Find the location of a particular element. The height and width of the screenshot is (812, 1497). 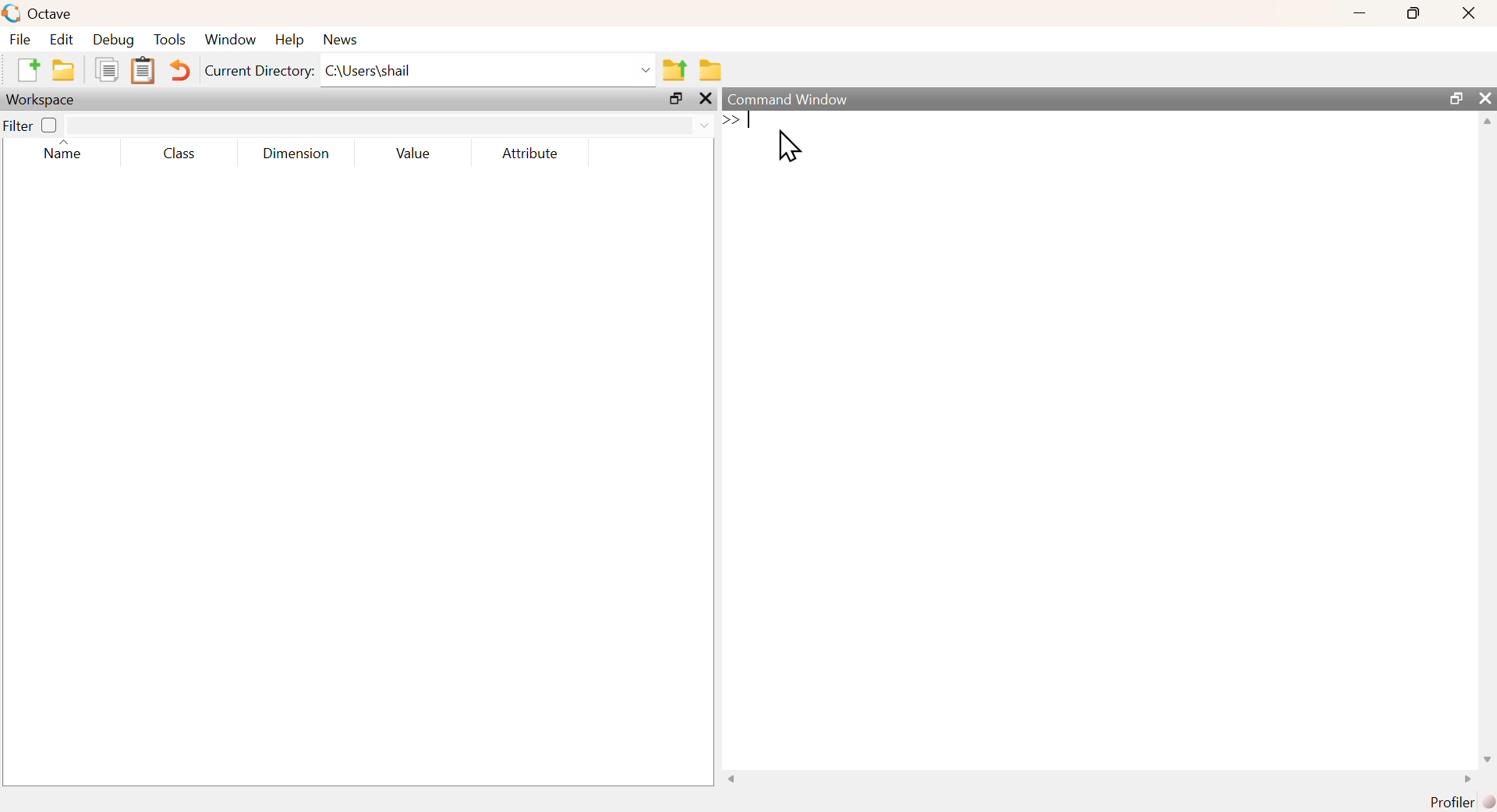

Undo is located at coordinates (180, 70).